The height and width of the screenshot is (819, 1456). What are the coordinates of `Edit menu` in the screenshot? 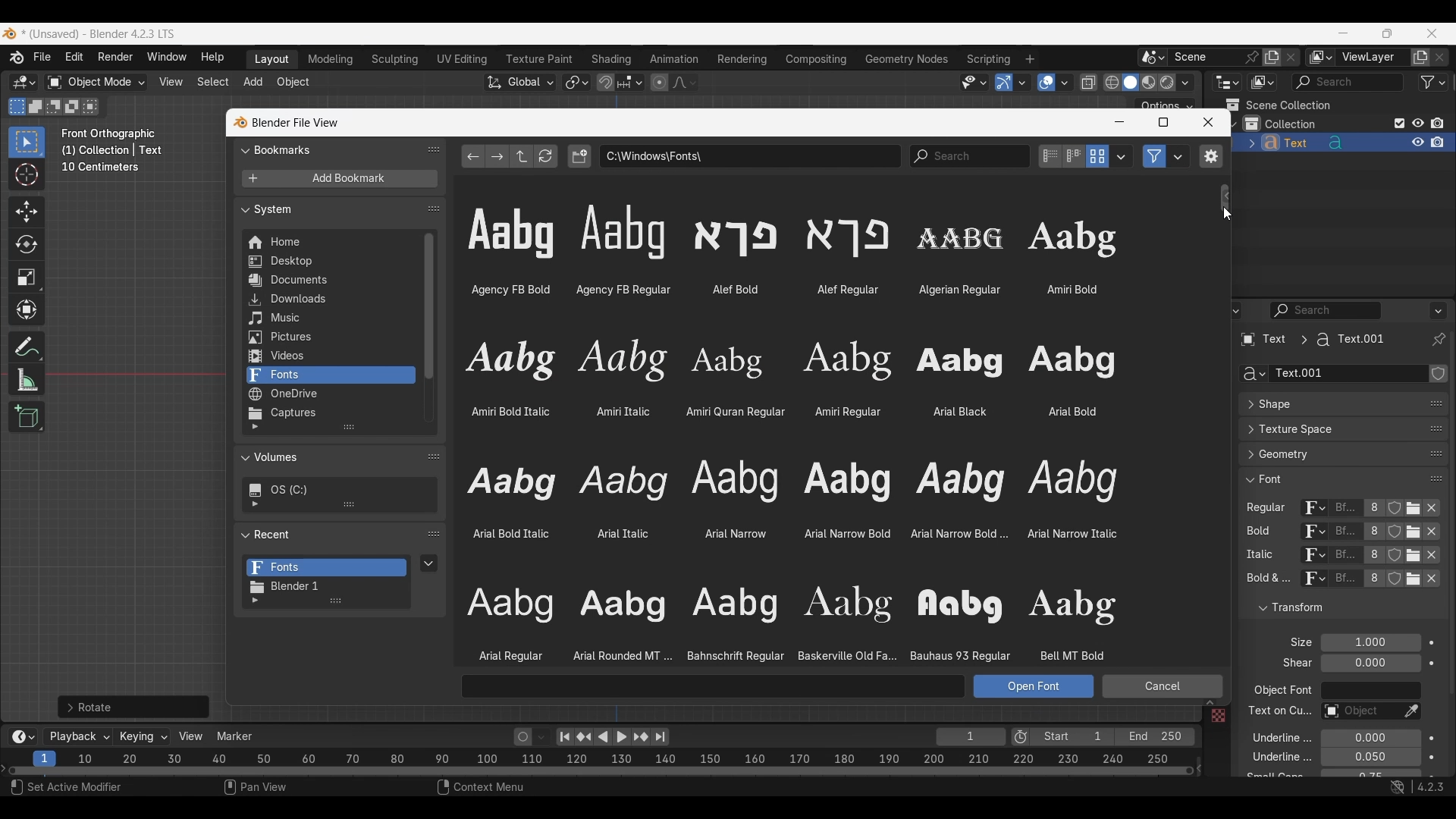 It's located at (74, 58).